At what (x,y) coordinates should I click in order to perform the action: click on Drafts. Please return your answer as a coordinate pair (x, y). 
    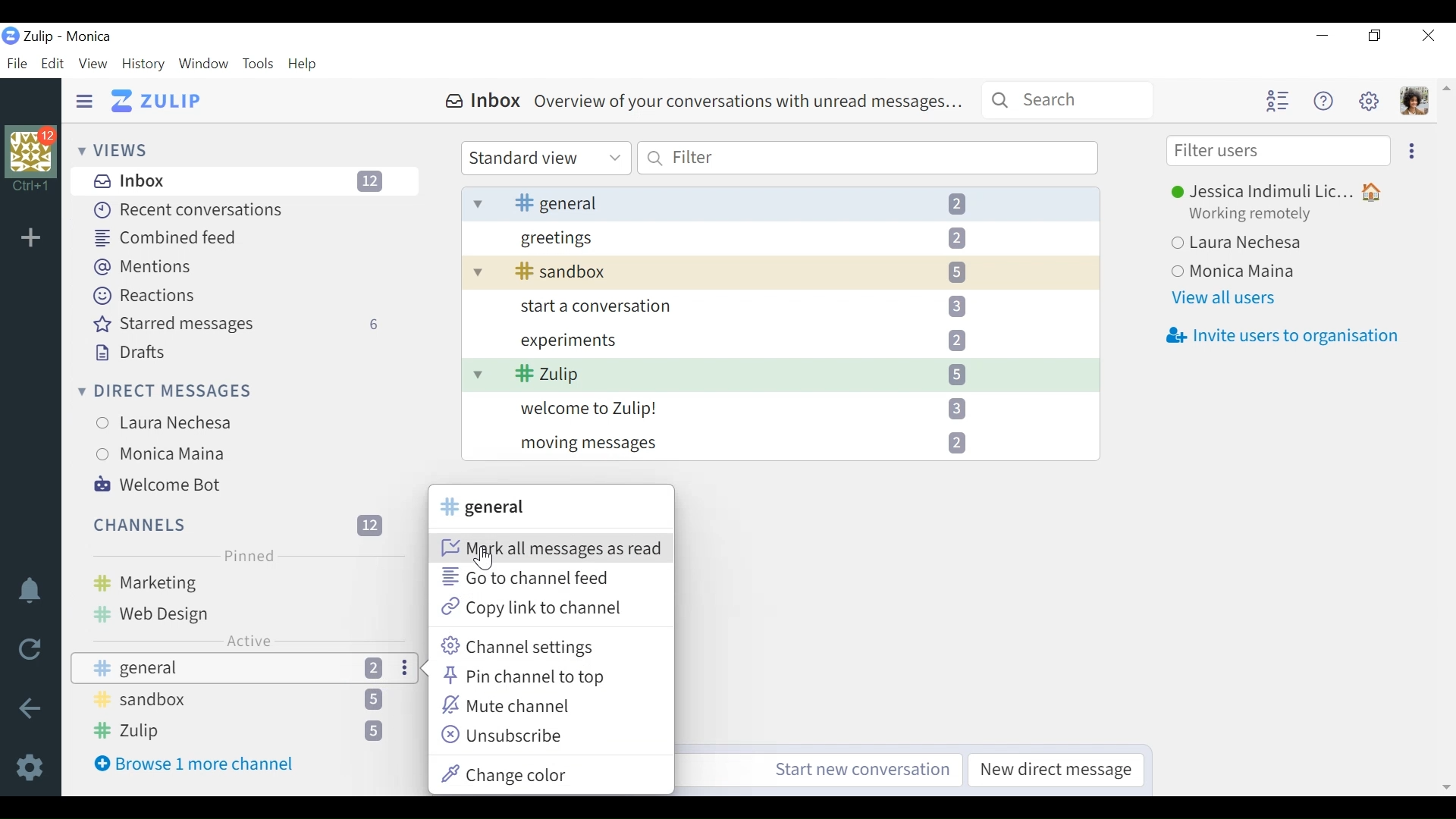
    Looking at the image, I should click on (127, 353).